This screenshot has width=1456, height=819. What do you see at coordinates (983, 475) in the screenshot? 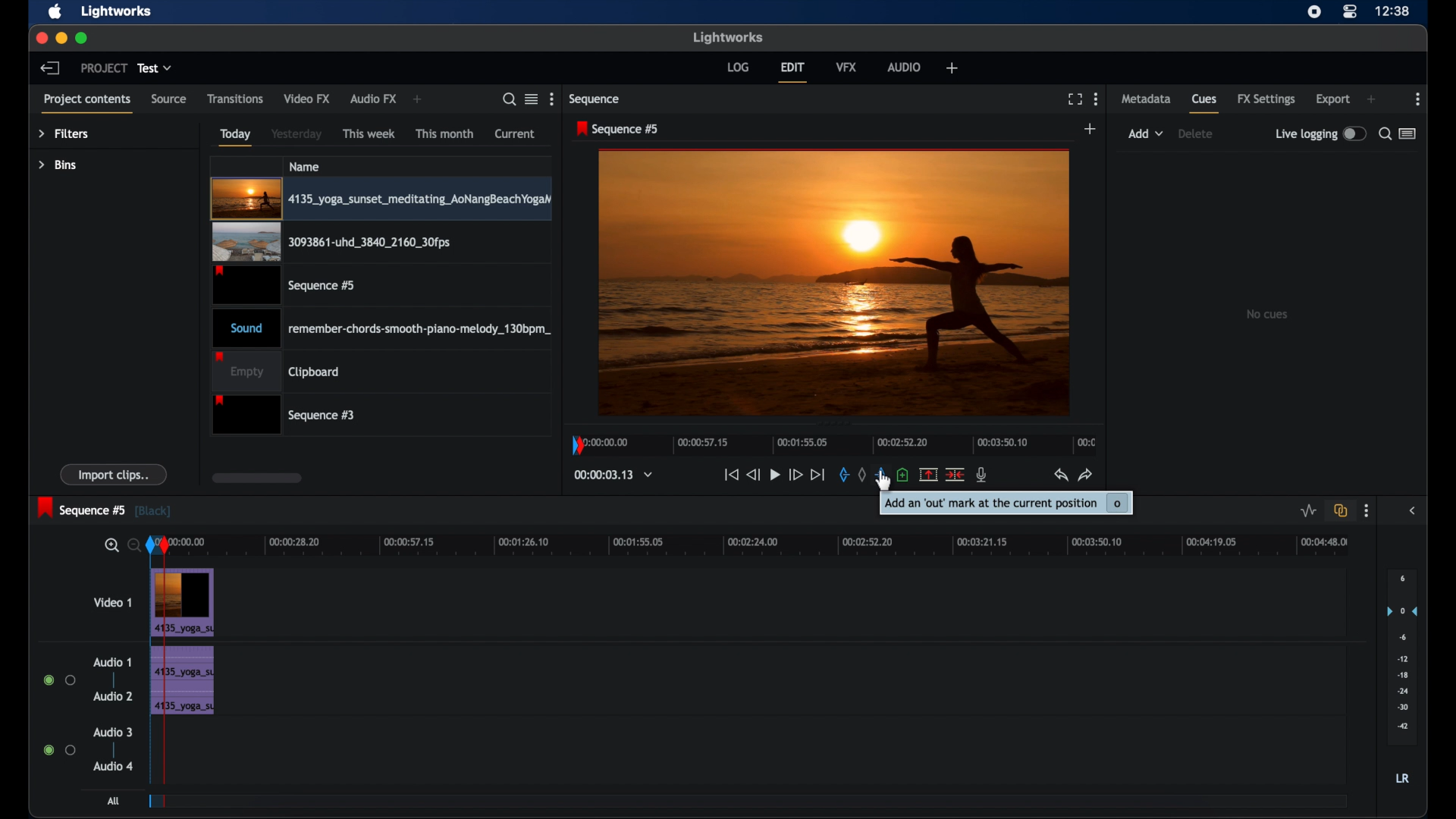
I see `mic` at bounding box center [983, 475].